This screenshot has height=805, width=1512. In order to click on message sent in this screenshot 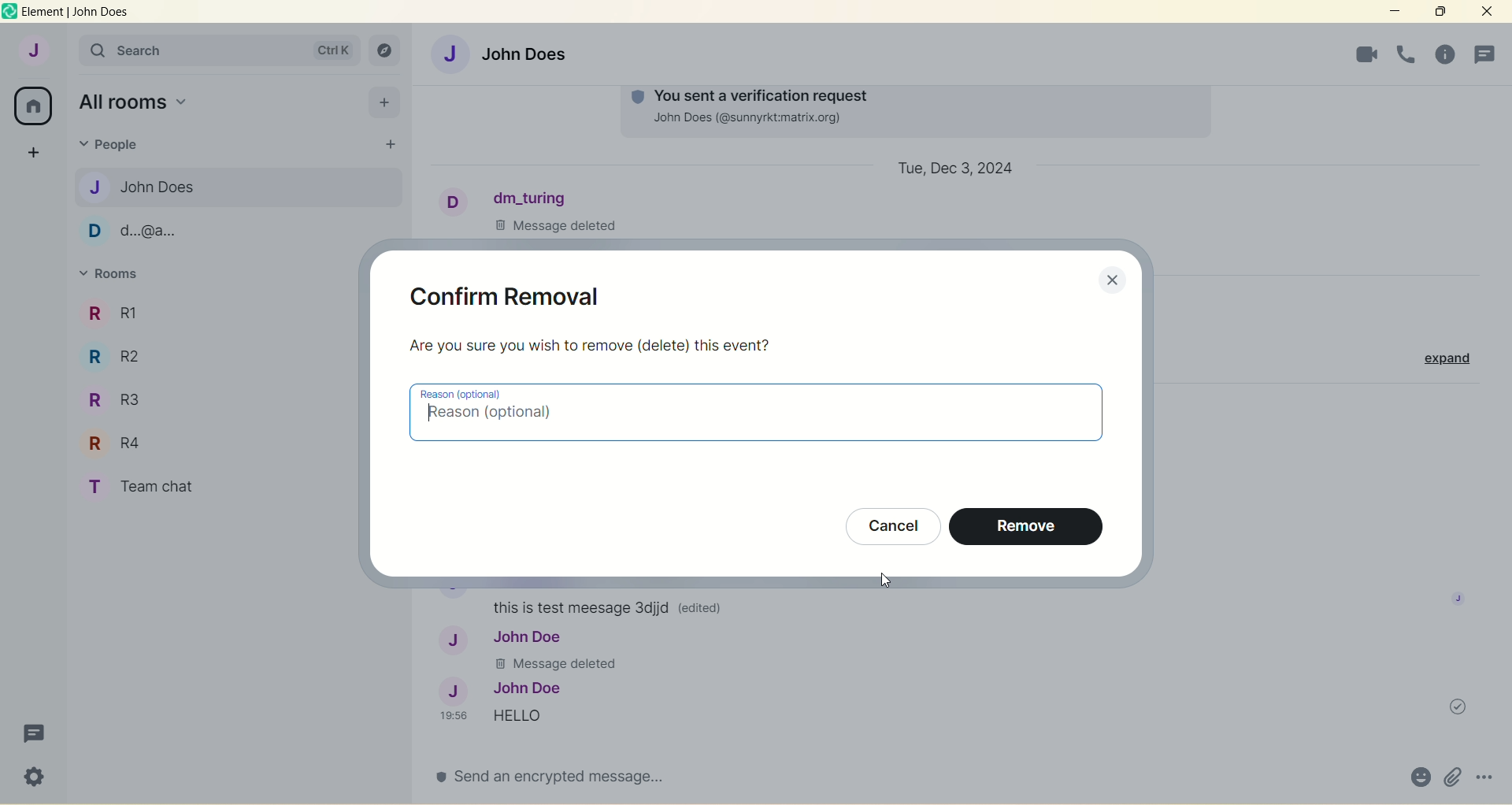, I will do `click(1452, 707)`.